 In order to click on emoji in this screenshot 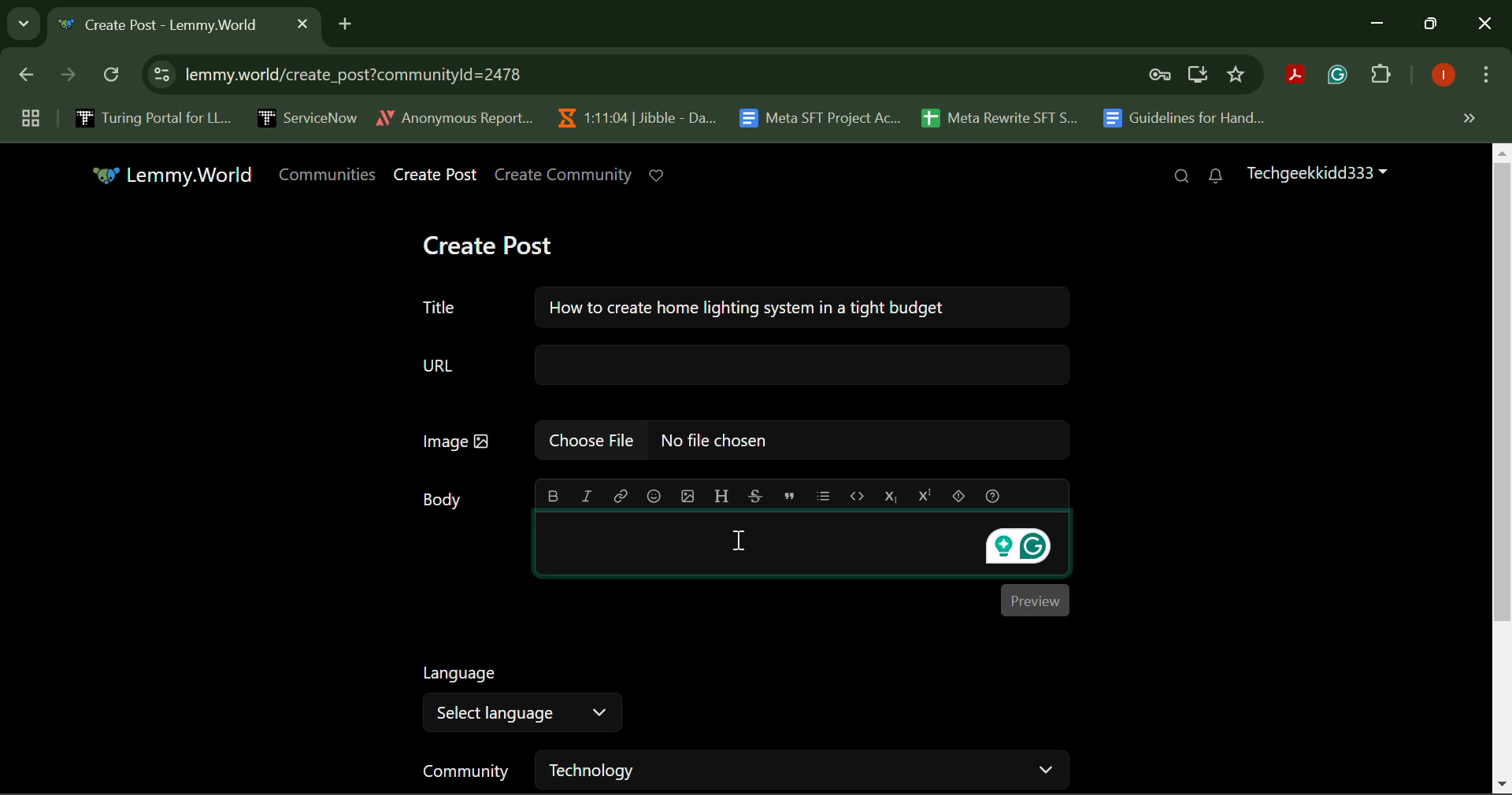, I will do `click(655, 496)`.